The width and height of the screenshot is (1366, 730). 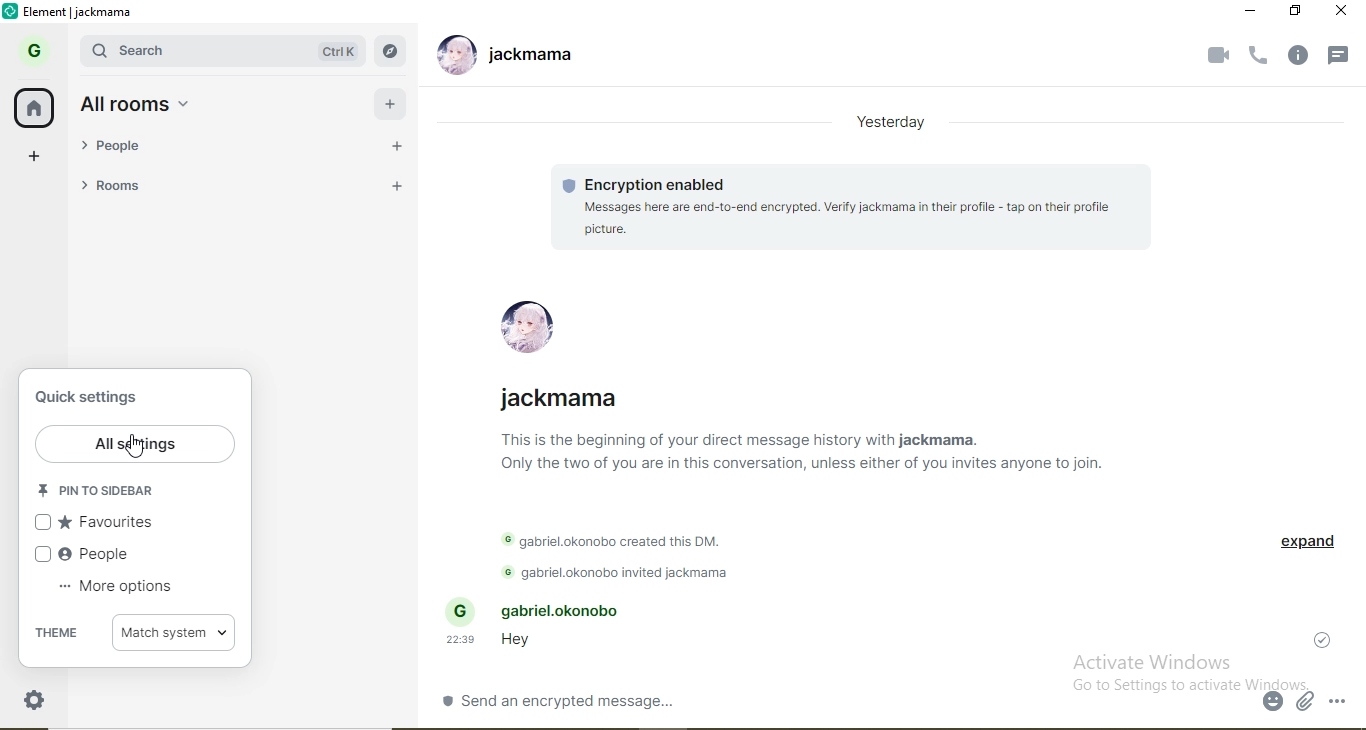 I want to click on home, so click(x=36, y=109).